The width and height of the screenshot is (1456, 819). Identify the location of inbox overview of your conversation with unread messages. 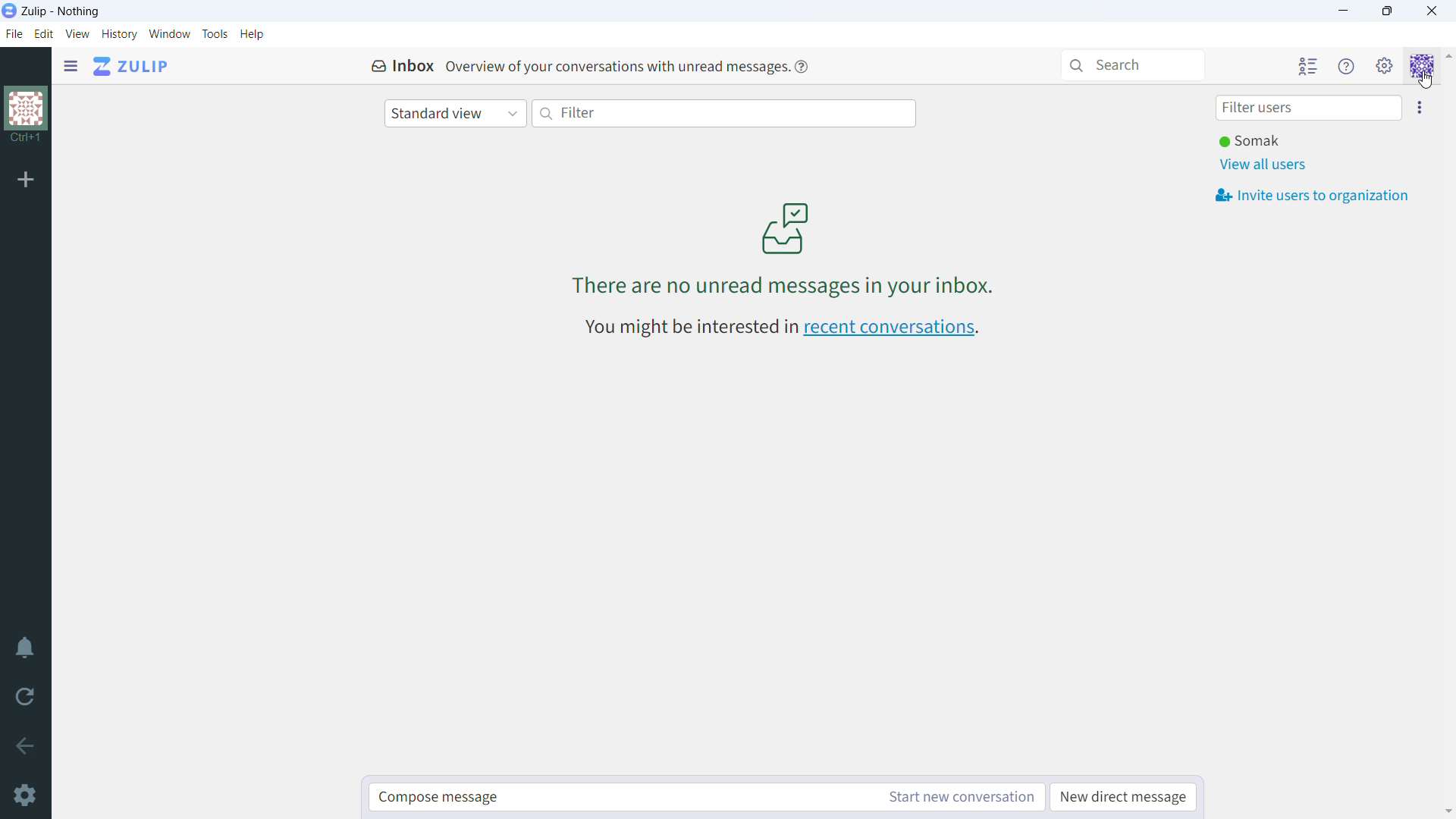
(573, 67).